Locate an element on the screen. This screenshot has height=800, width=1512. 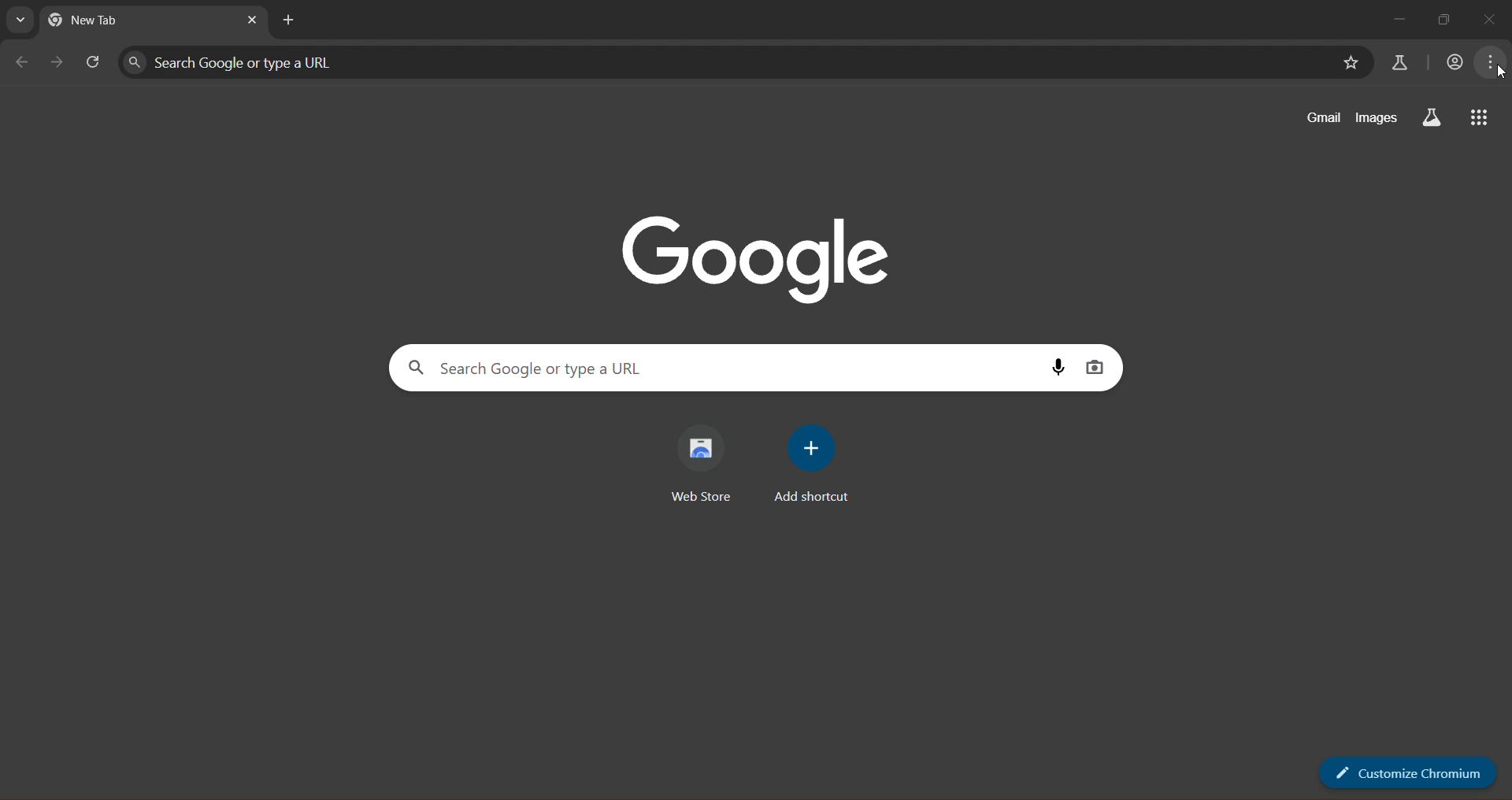
close is located at coordinates (1495, 14).